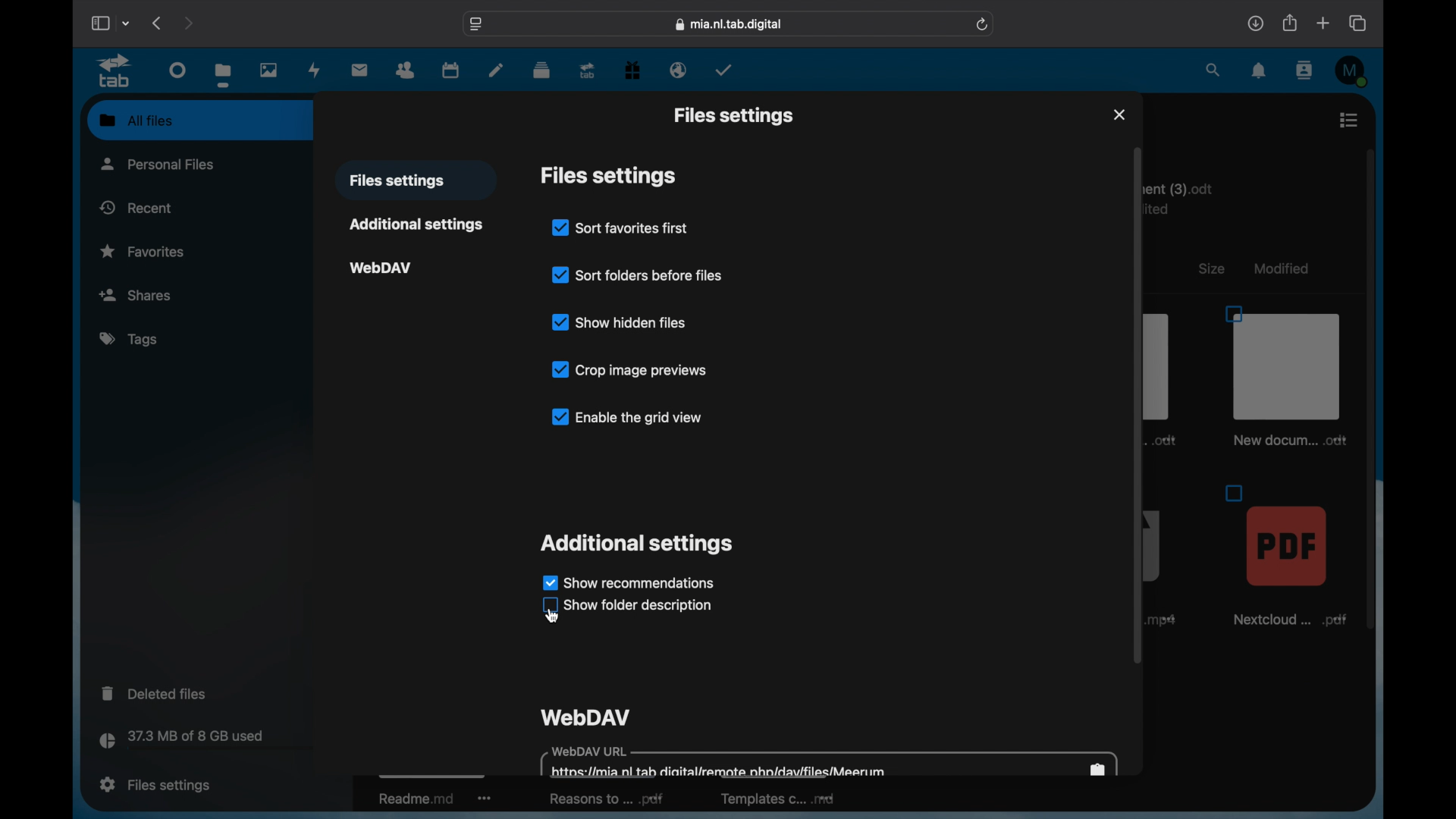  What do you see at coordinates (1255, 23) in the screenshot?
I see `downloads` at bounding box center [1255, 23].